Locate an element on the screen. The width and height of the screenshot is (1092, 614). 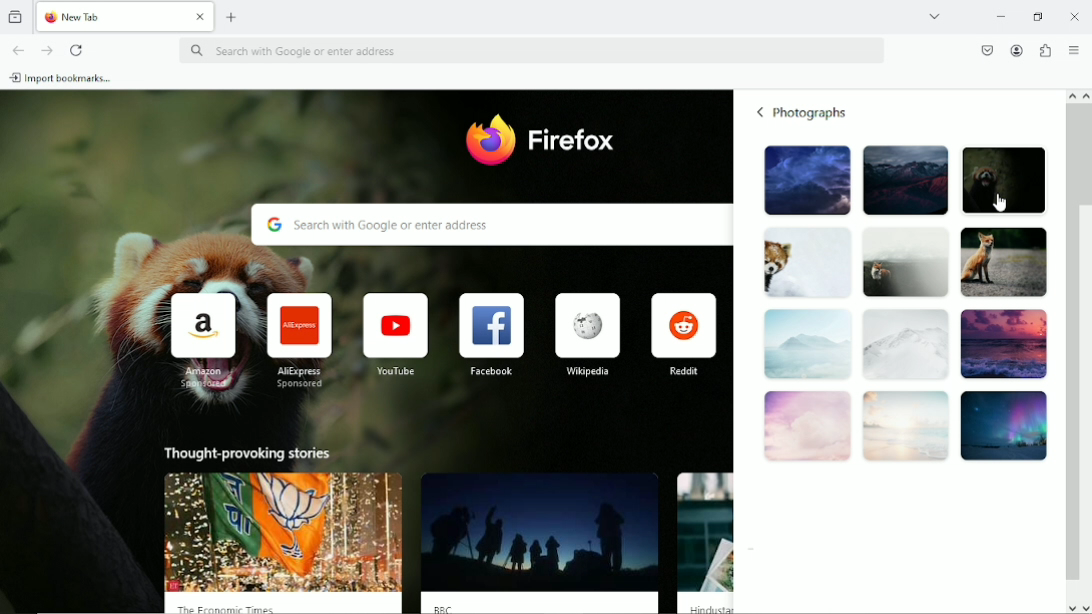
Photograph is located at coordinates (1008, 179).